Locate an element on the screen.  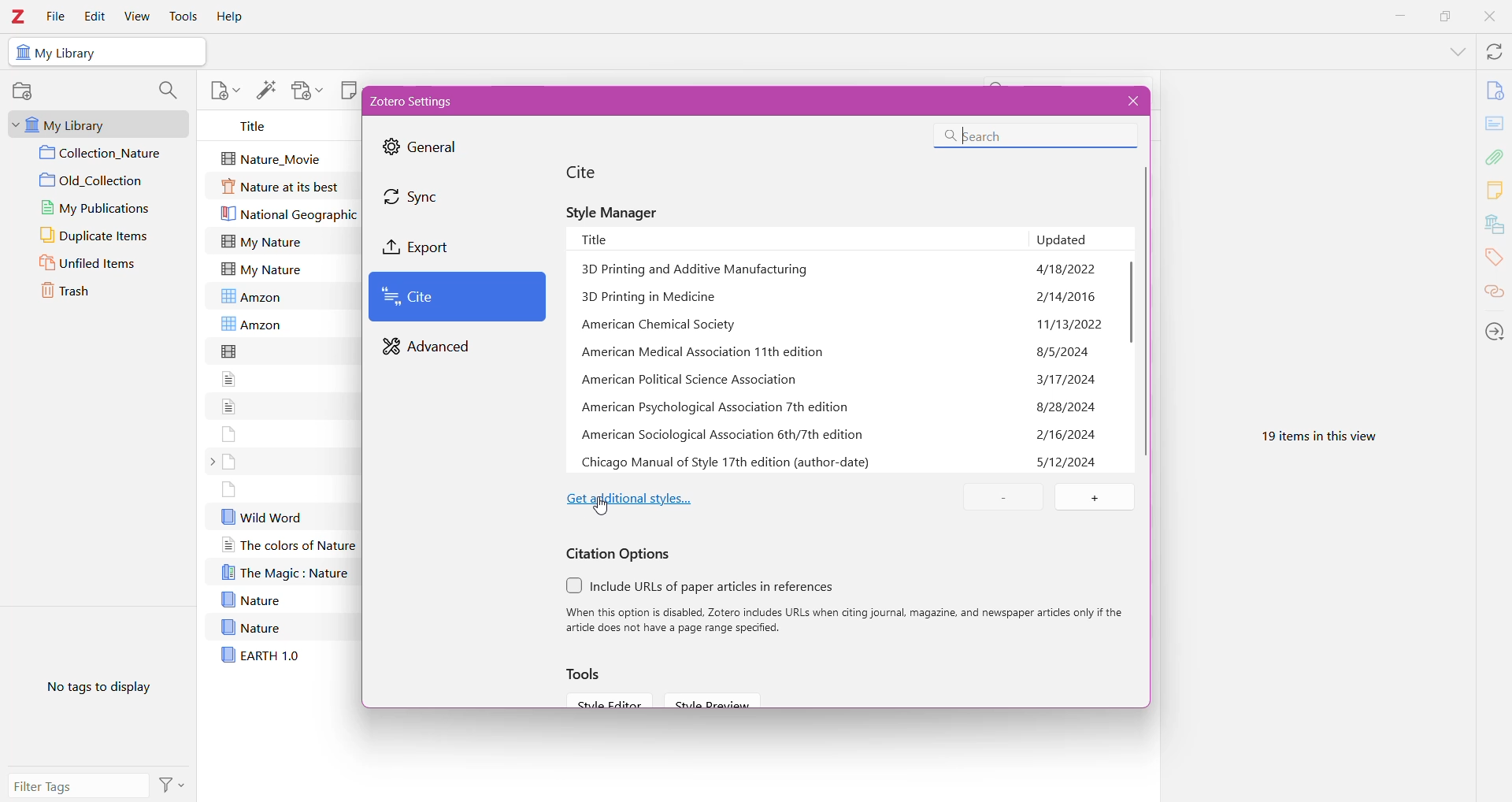
American Sociological Association 6th/7th edition is located at coordinates (724, 436).